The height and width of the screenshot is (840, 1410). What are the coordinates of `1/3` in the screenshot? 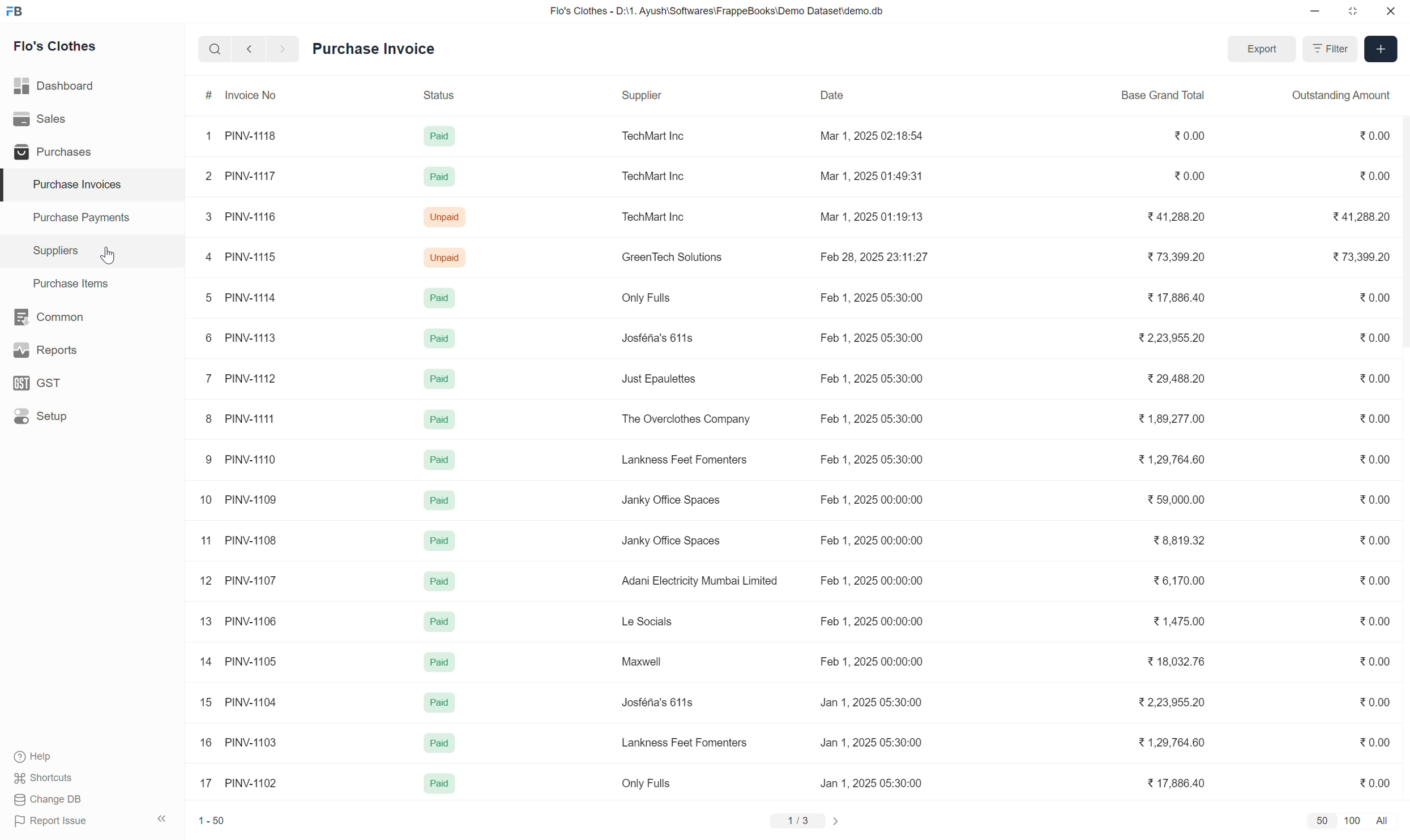 It's located at (793, 821).